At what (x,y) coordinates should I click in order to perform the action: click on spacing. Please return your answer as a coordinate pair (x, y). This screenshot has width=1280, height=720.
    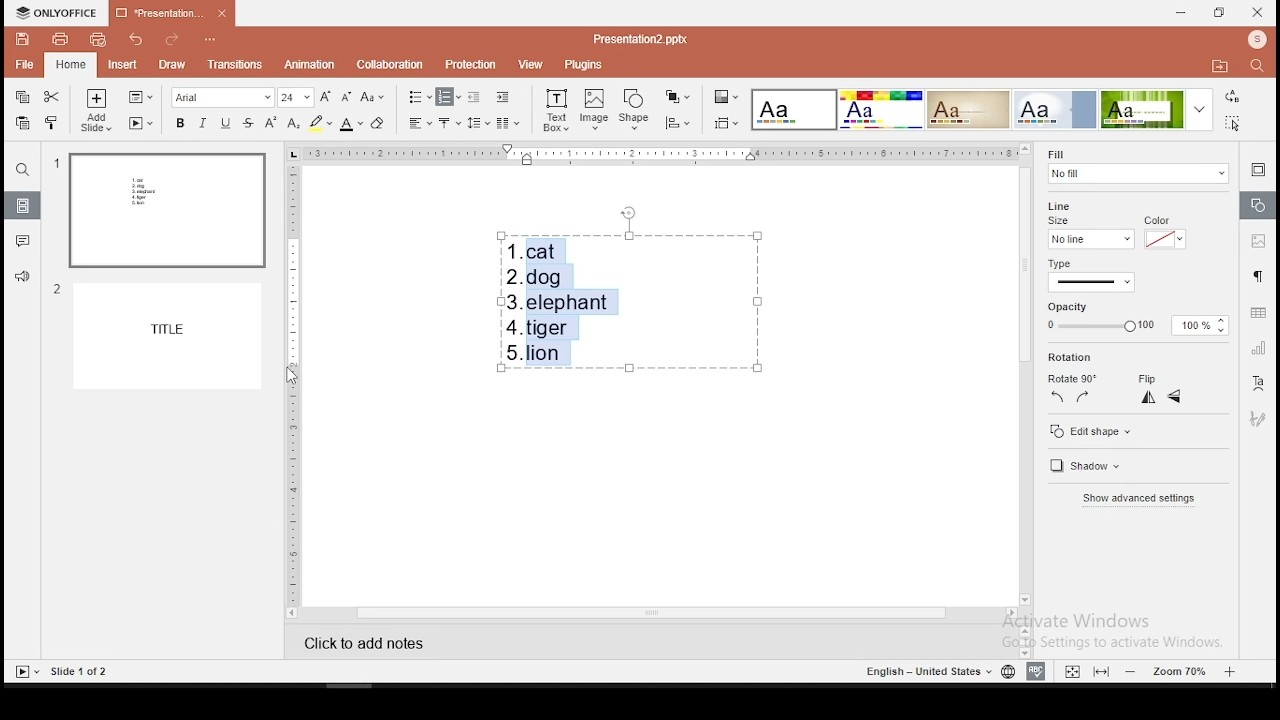
    Looking at the image, I should click on (478, 123).